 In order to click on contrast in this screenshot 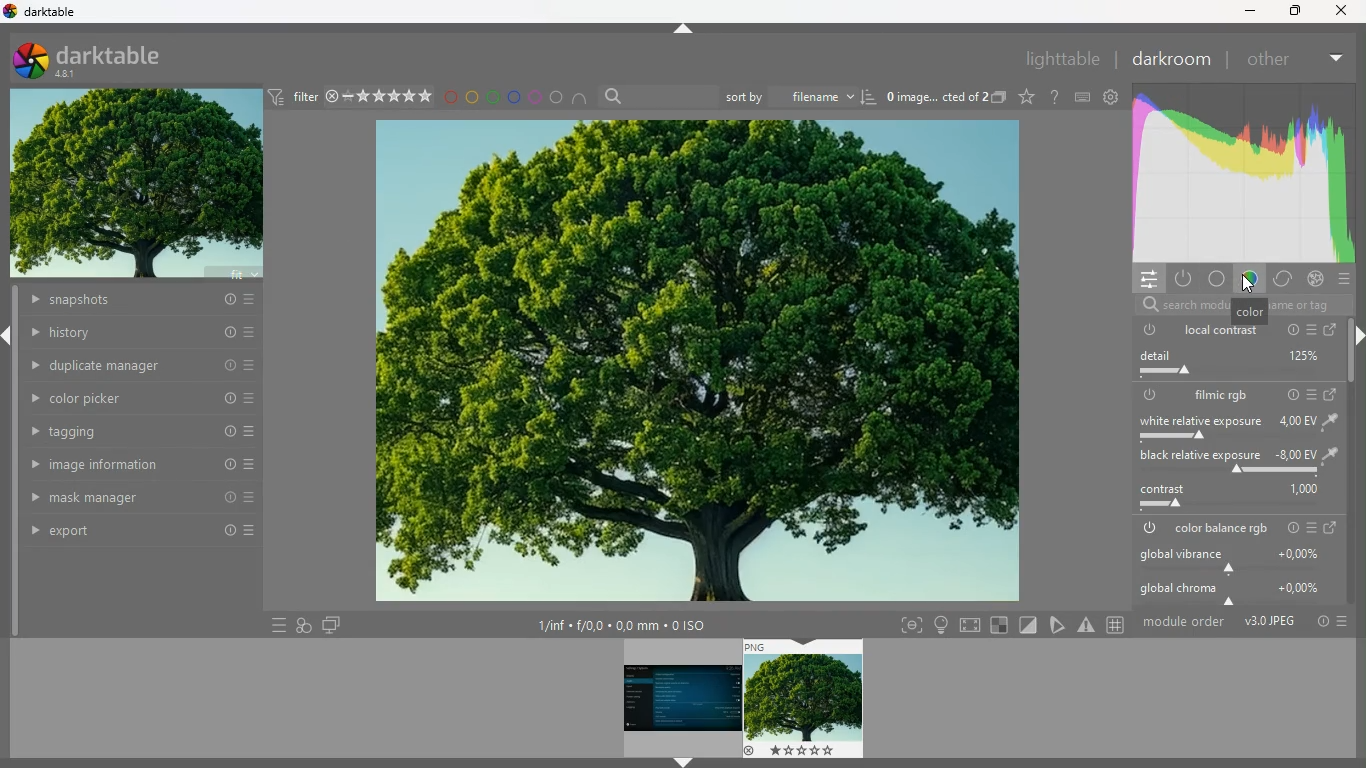, I will do `click(1231, 498)`.